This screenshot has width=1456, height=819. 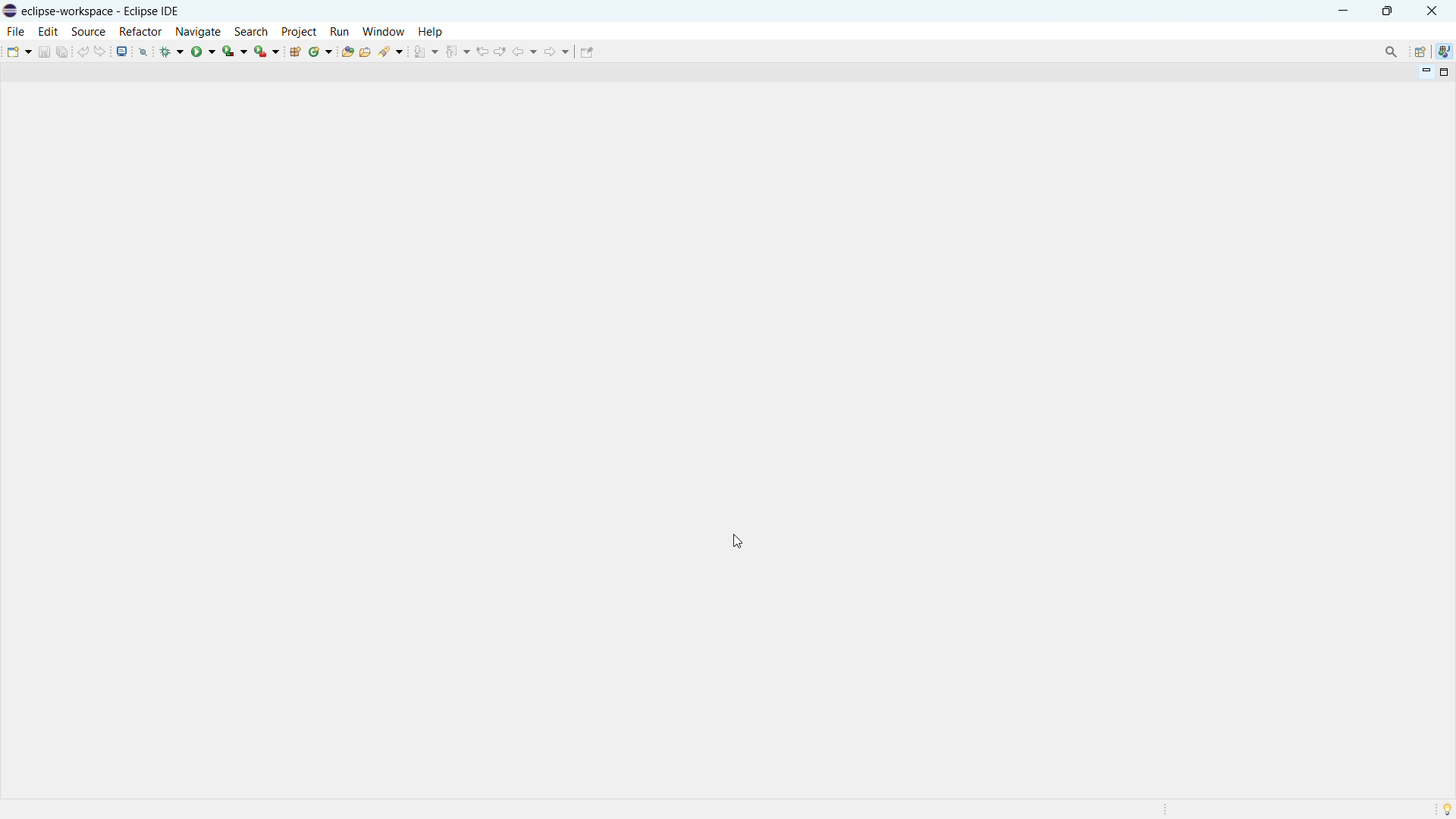 I want to click on minimize, so click(x=1344, y=10).